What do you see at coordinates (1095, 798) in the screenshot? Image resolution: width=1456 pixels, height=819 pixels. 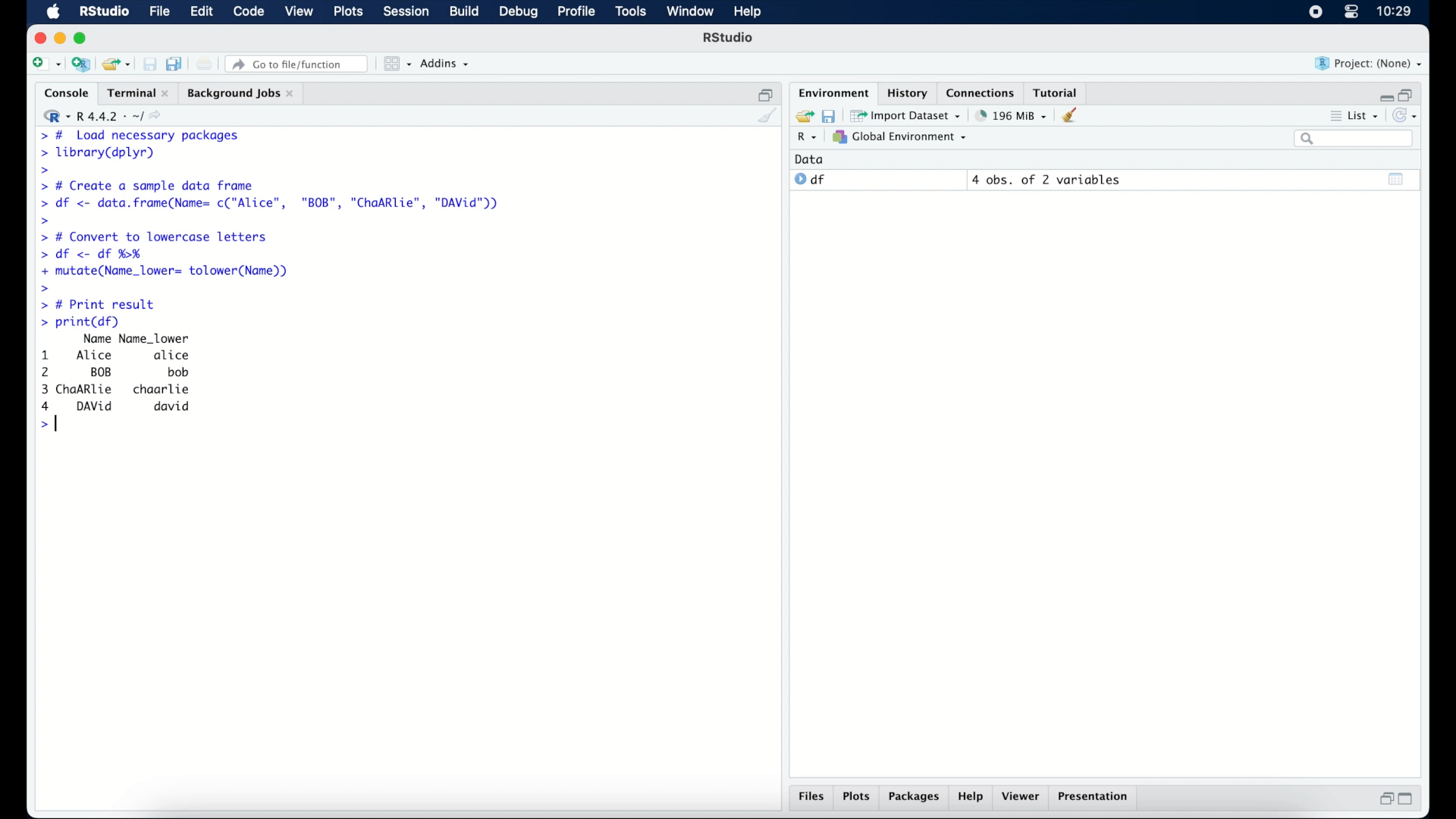 I see `presentation` at bounding box center [1095, 798].